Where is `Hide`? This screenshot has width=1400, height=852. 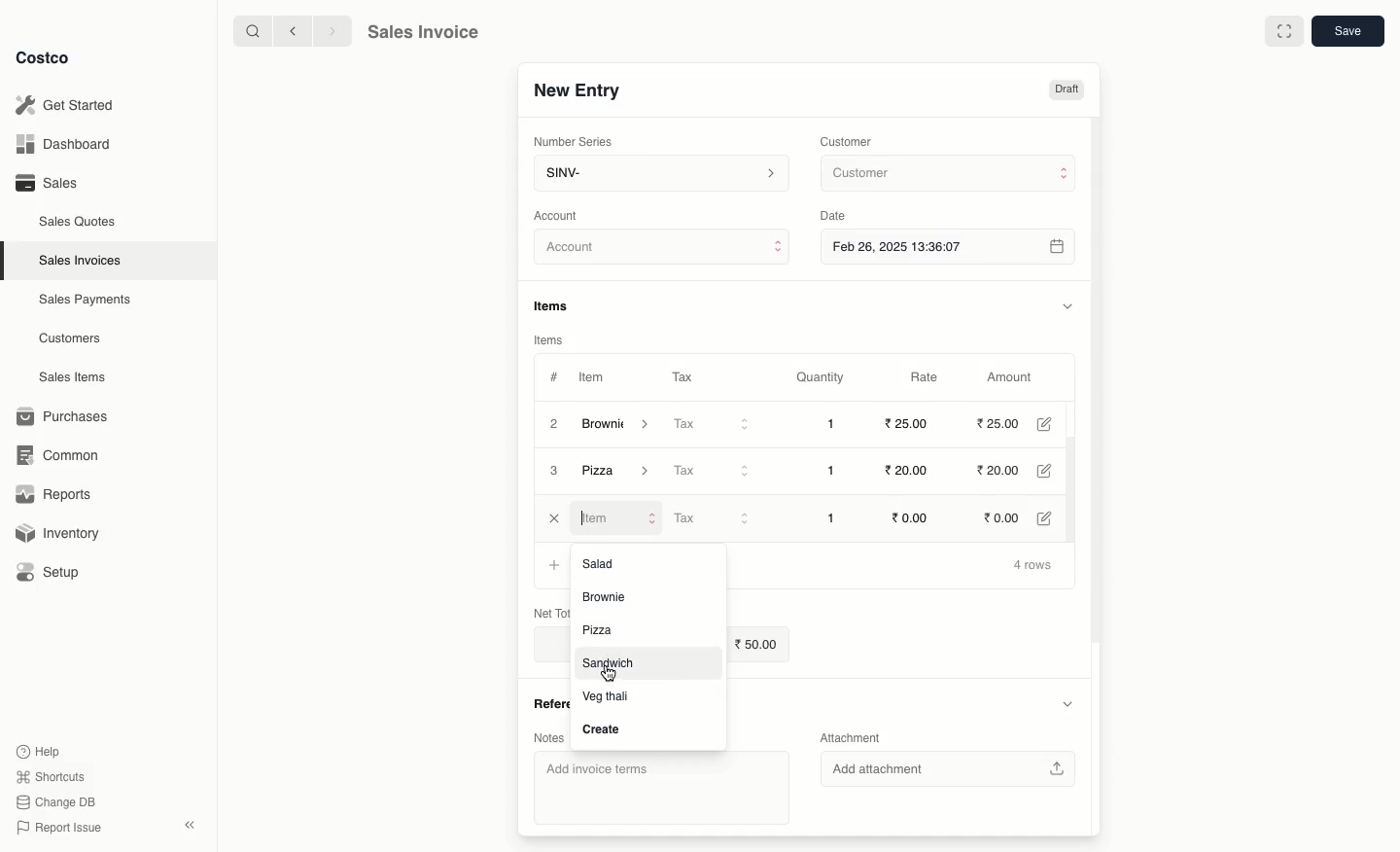
Hide is located at coordinates (1067, 305).